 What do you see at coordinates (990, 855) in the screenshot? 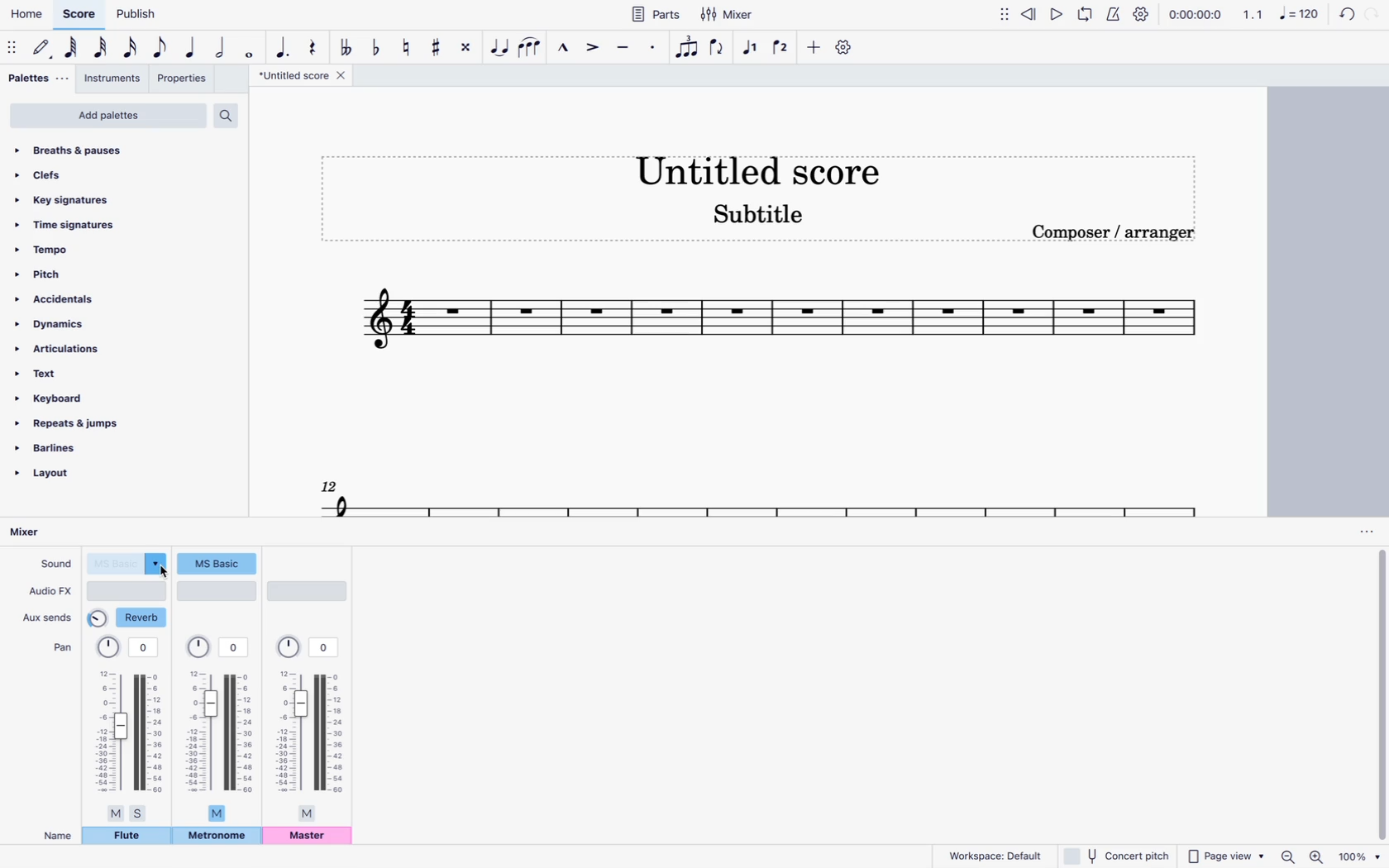
I see `workspace` at bounding box center [990, 855].